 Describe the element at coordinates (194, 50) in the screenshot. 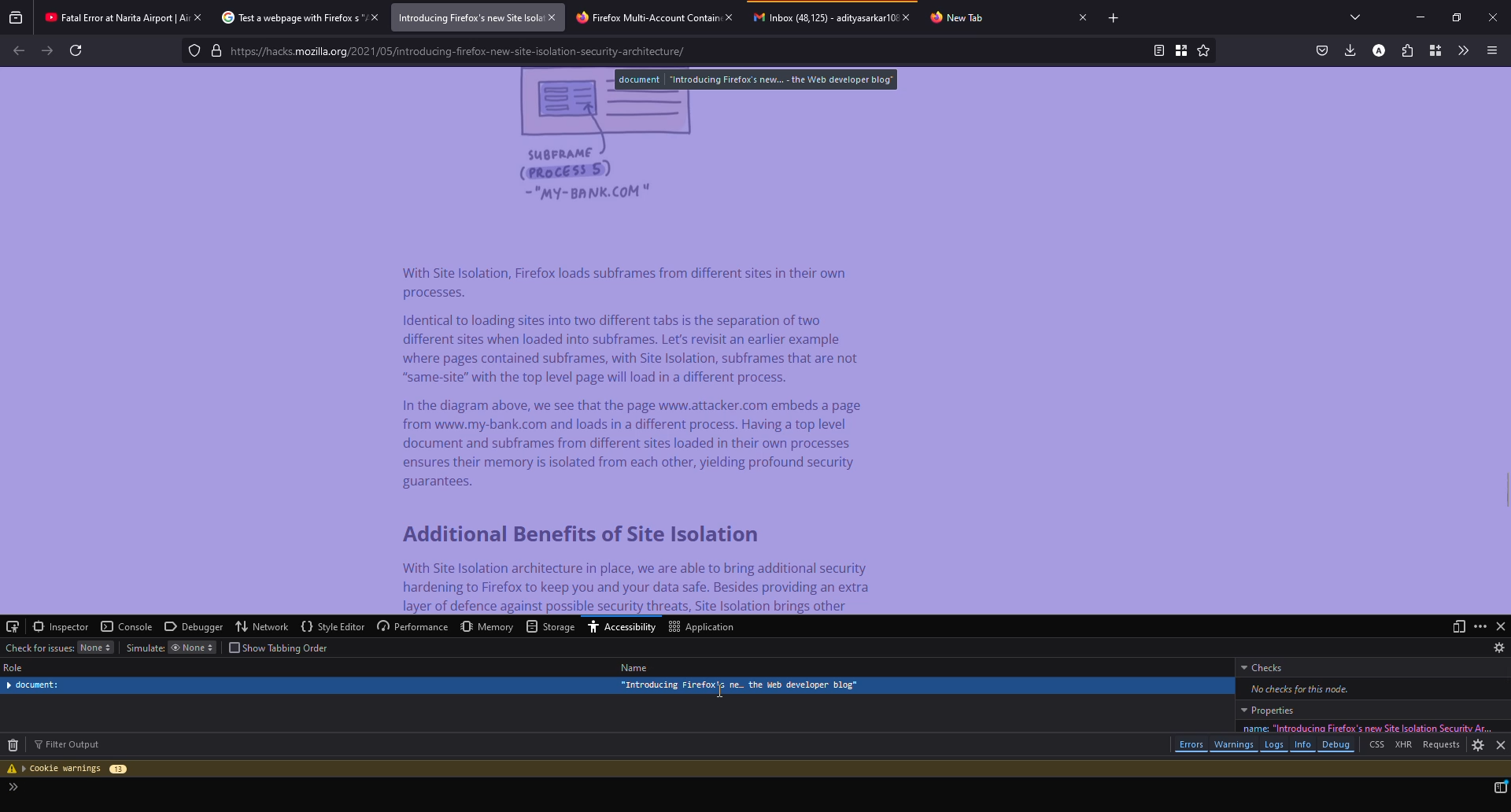

I see `tracking` at that location.